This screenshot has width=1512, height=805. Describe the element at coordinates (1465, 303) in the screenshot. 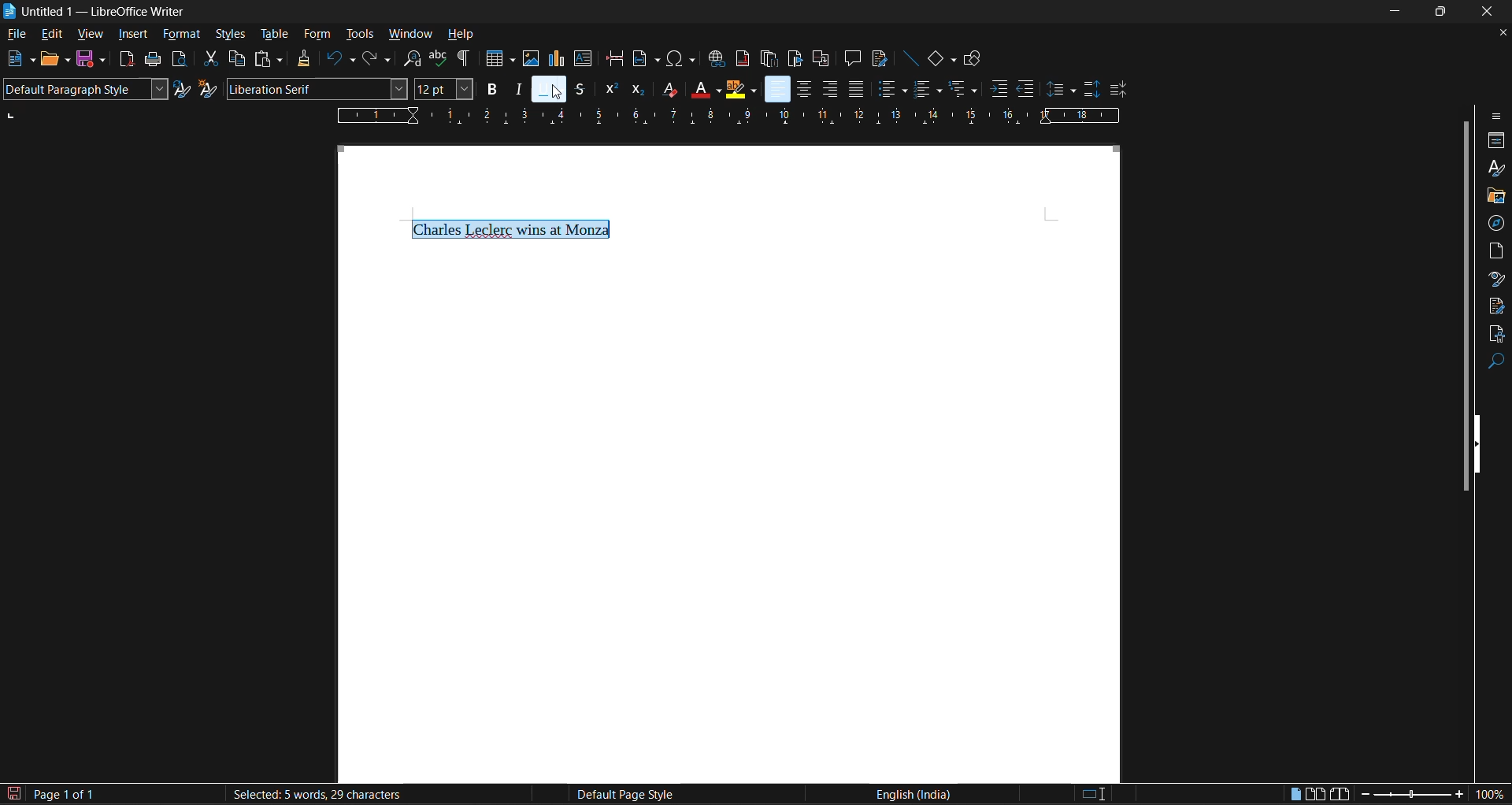

I see `vertical slide bar` at that location.